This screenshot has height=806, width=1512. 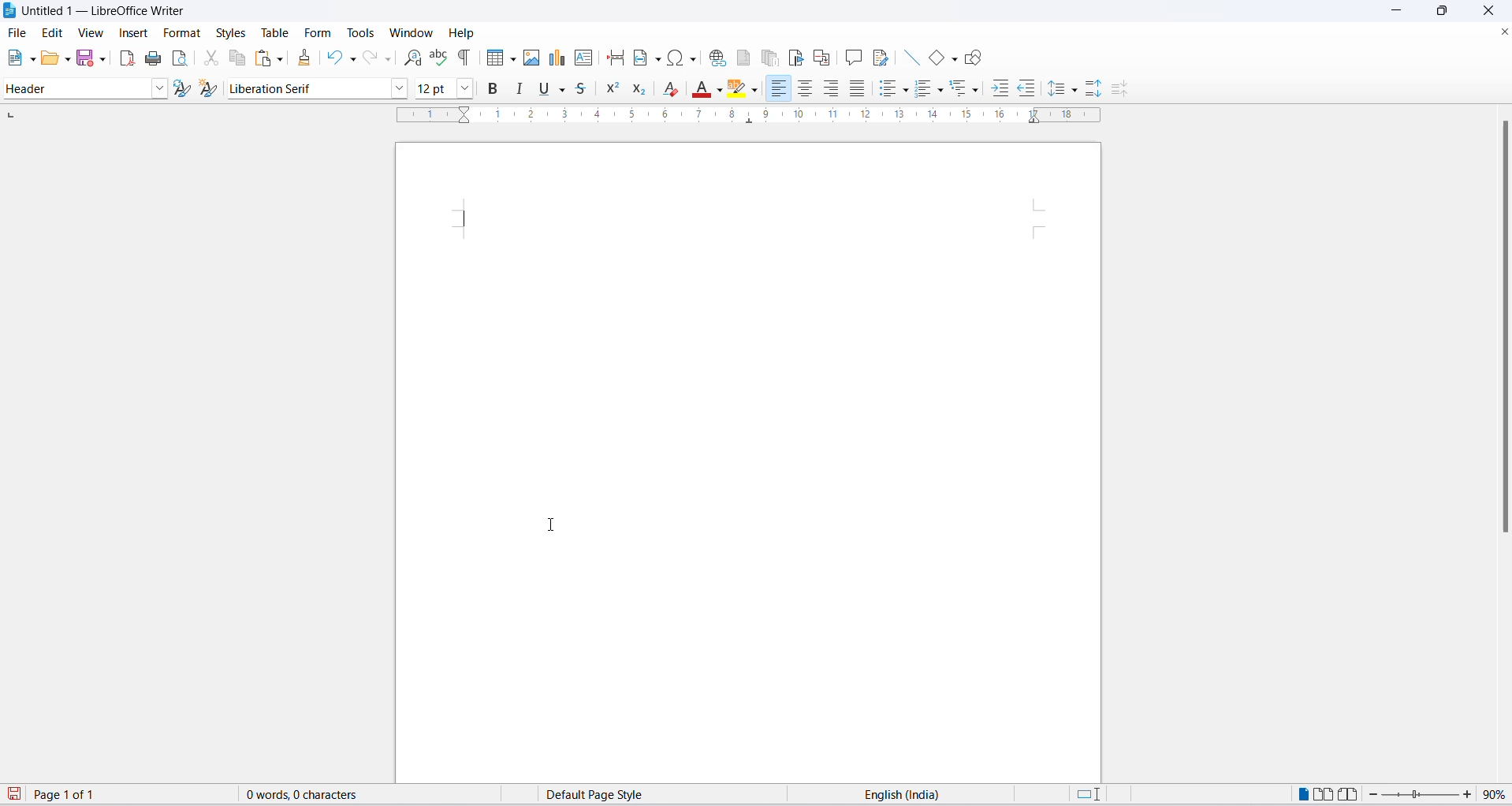 I want to click on new file, so click(x=15, y=58).